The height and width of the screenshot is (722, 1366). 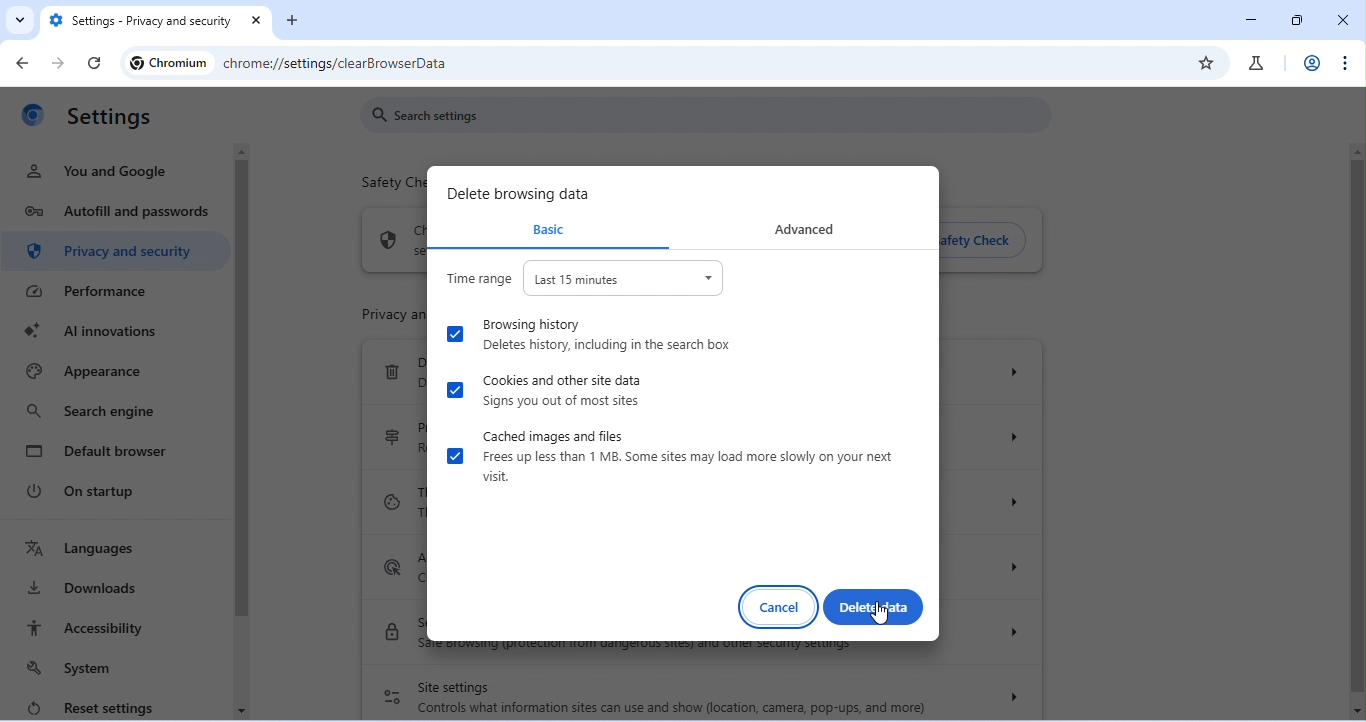 What do you see at coordinates (242, 396) in the screenshot?
I see `vertical scroll bar` at bounding box center [242, 396].